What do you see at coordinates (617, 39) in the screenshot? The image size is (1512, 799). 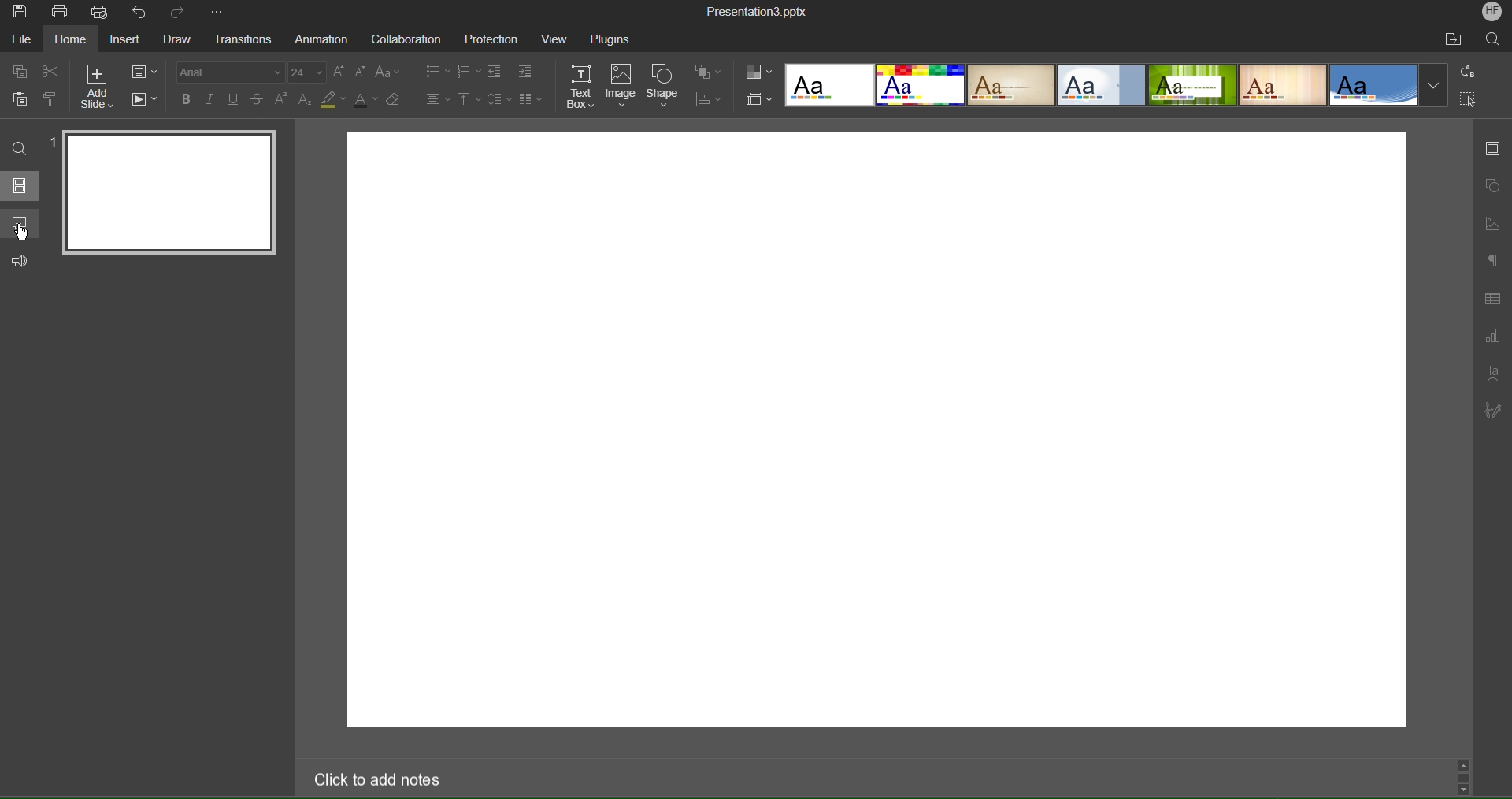 I see `Plugins` at bounding box center [617, 39].